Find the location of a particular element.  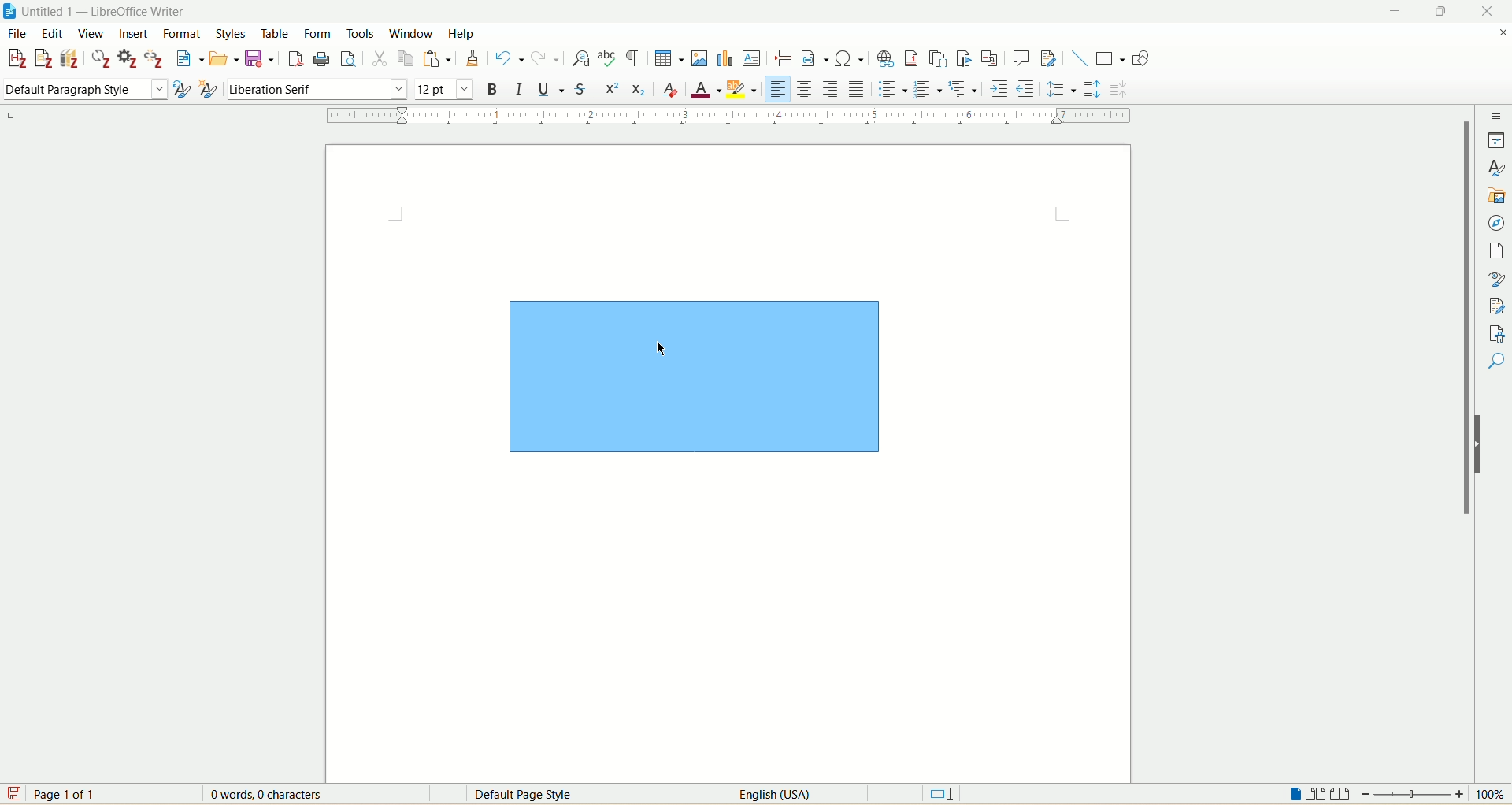

add note is located at coordinates (44, 59).